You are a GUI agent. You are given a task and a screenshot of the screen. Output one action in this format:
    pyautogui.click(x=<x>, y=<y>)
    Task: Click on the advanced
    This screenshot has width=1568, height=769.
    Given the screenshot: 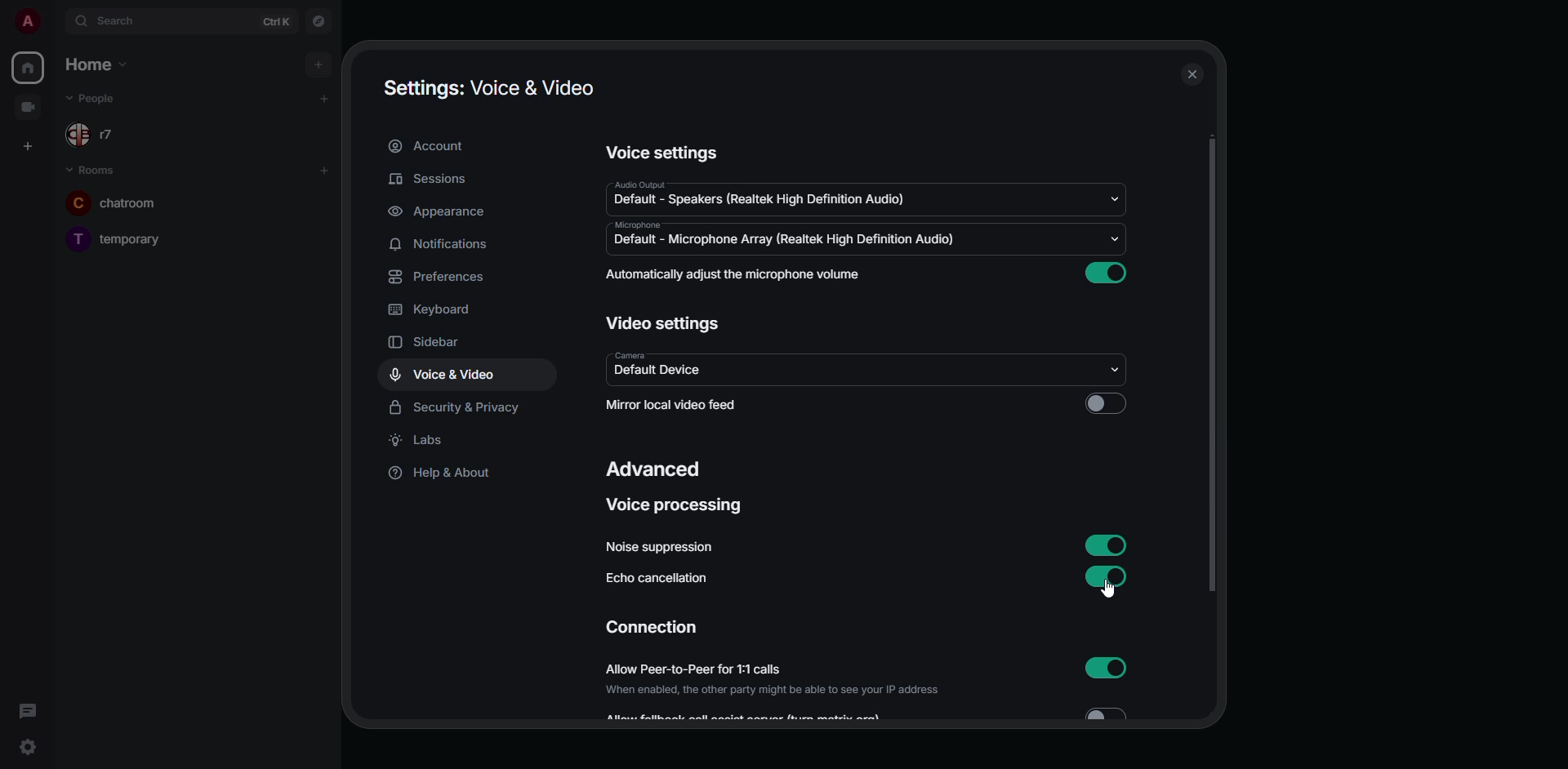 What is the action you would take?
    pyautogui.click(x=657, y=471)
    